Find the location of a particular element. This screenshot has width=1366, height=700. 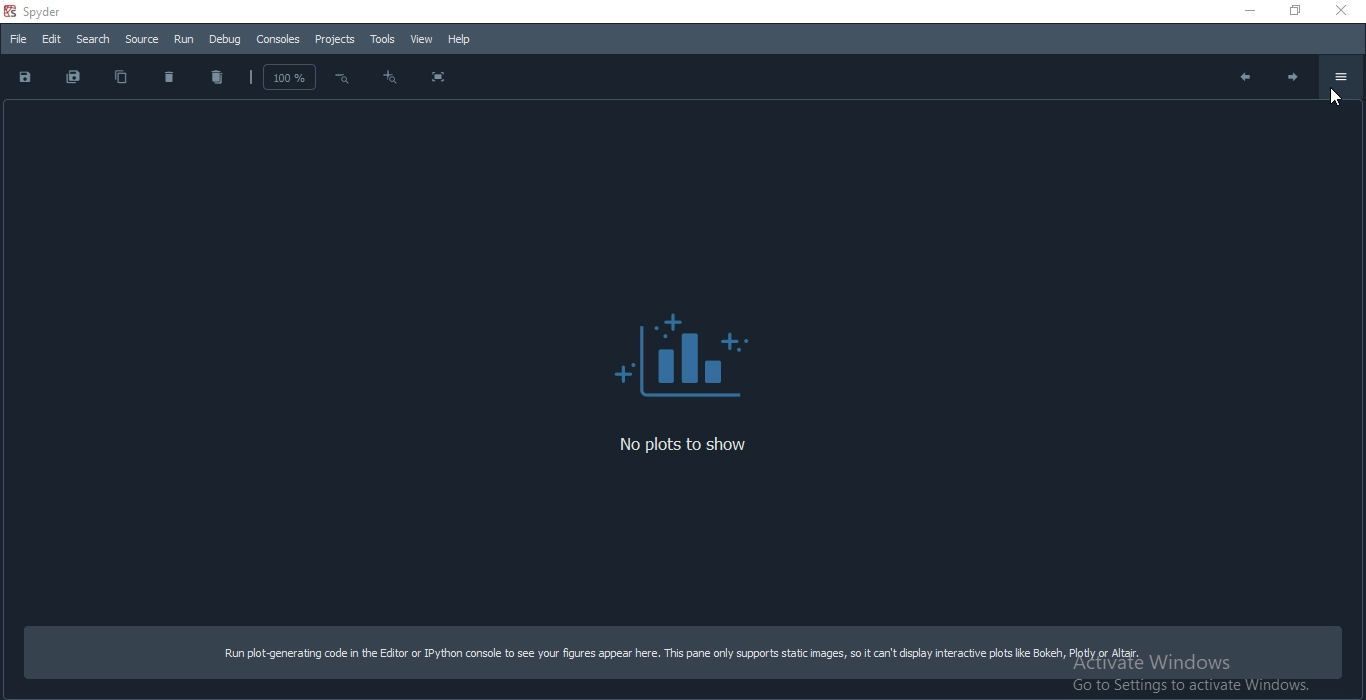

No plots to show is located at coordinates (704, 447).